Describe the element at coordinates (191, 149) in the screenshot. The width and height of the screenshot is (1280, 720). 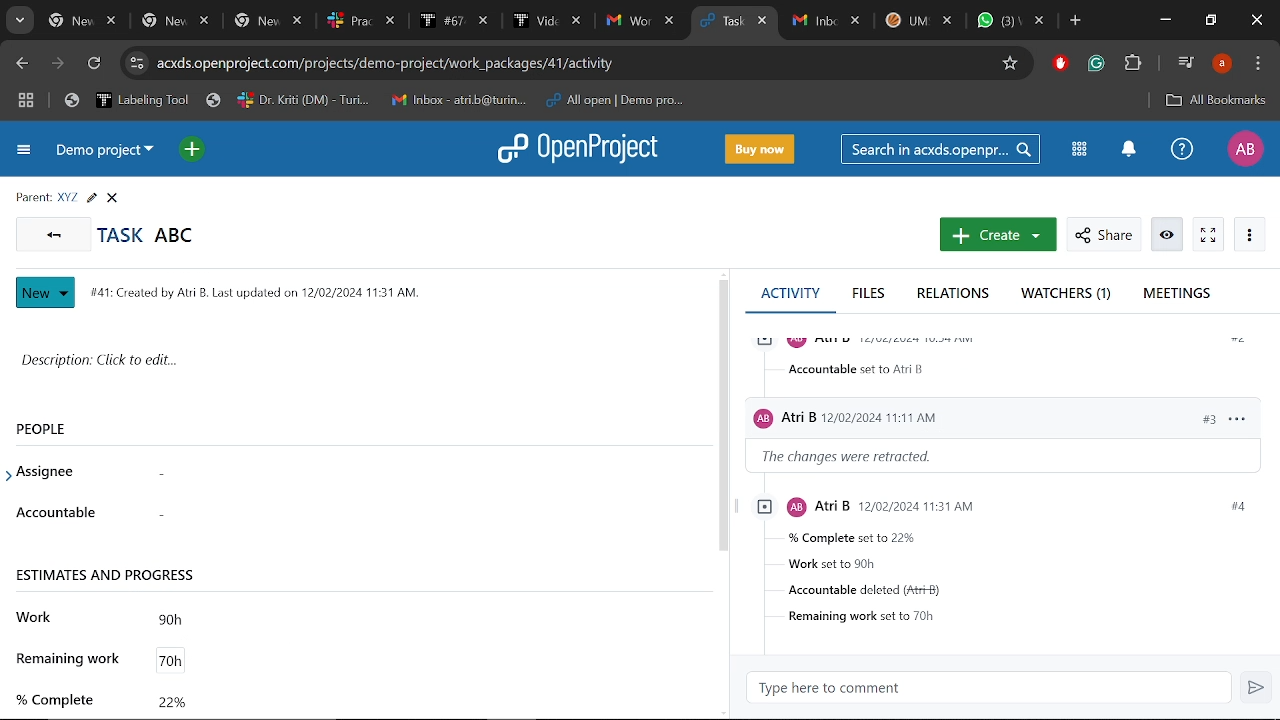
I see `Open quick add menu` at that location.